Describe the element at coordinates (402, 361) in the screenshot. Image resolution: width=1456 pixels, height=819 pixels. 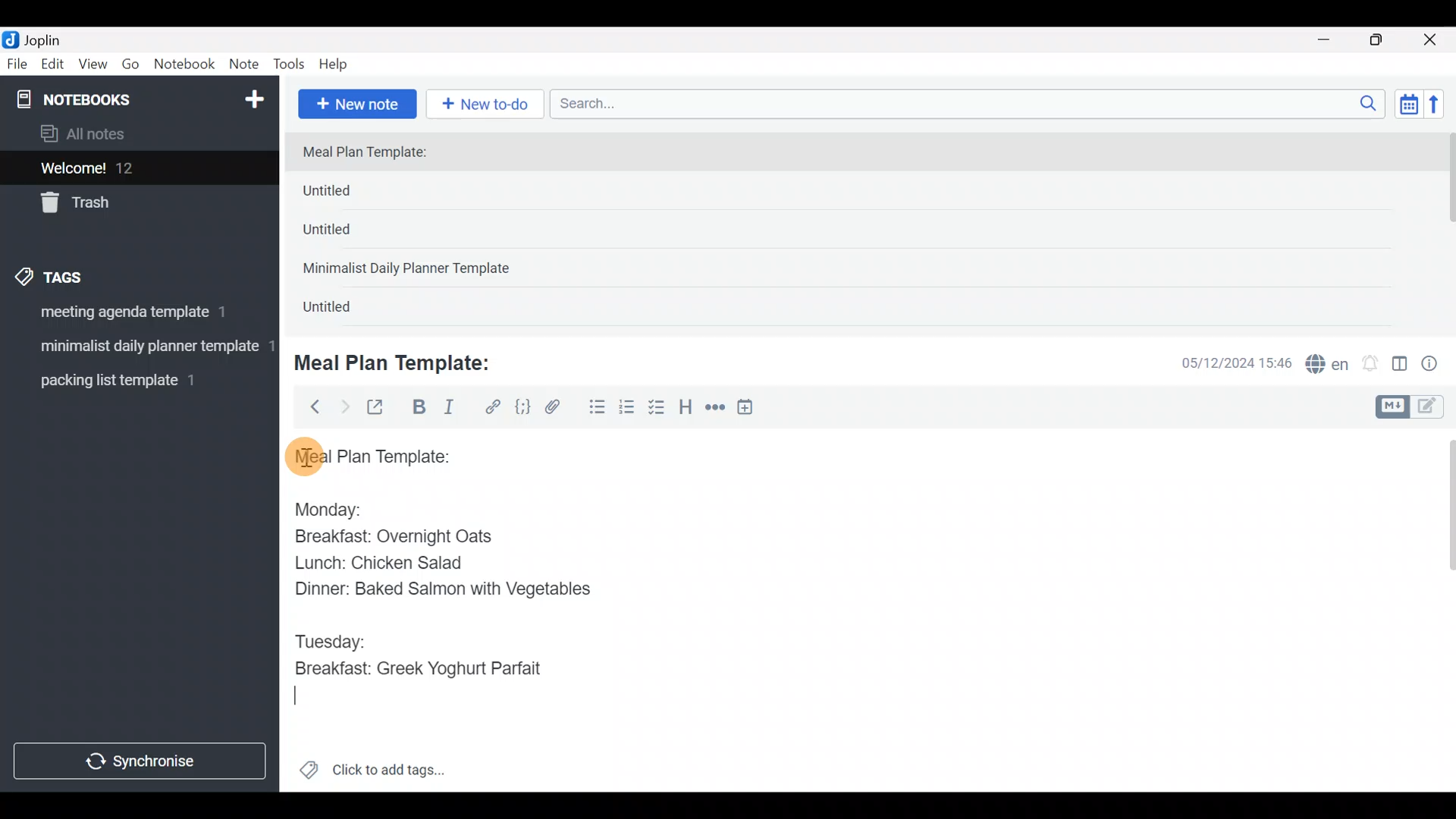
I see `Meal Plan Template:` at that location.